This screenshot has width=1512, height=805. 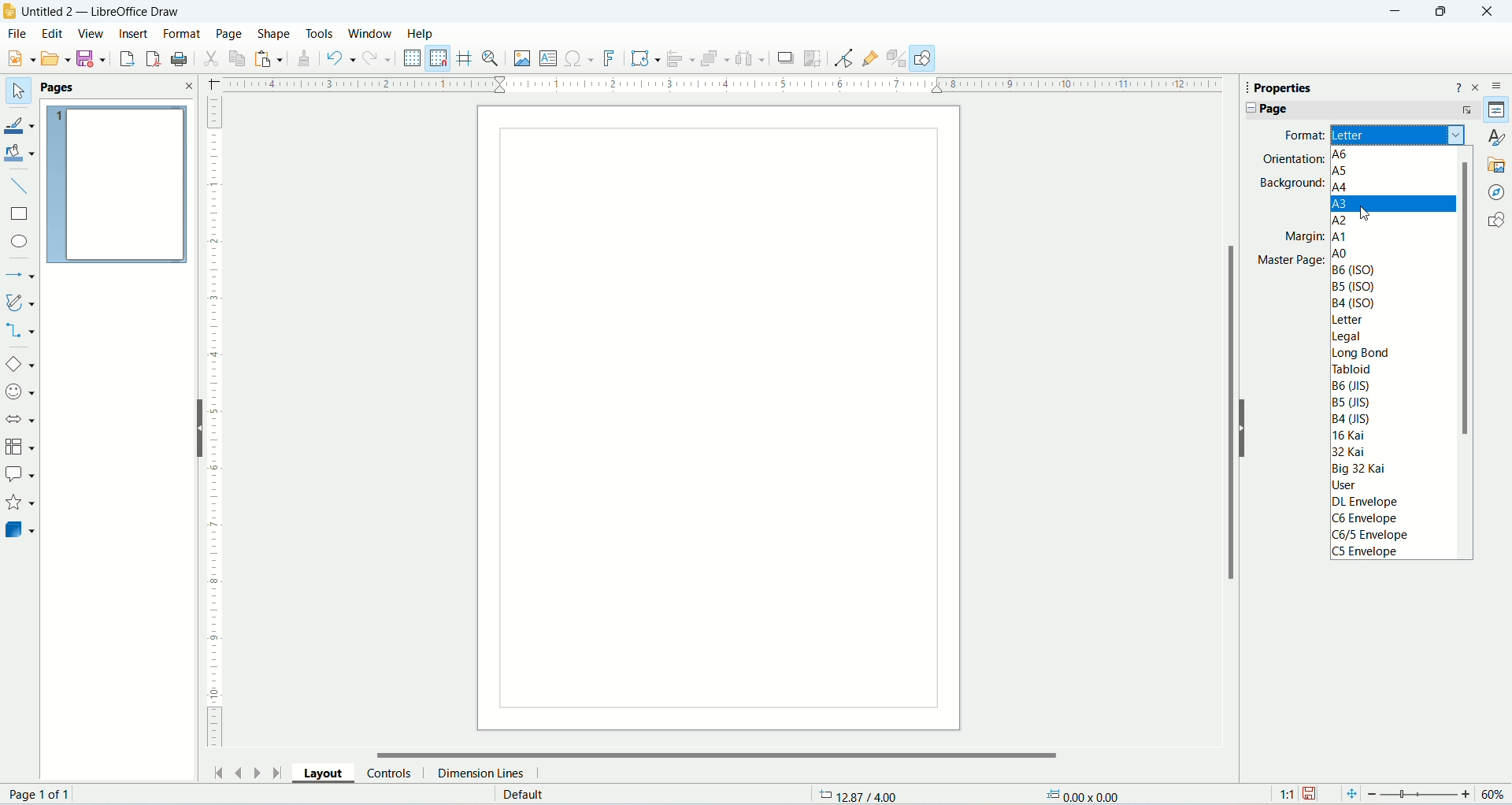 I want to click on point edit mode, so click(x=846, y=60).